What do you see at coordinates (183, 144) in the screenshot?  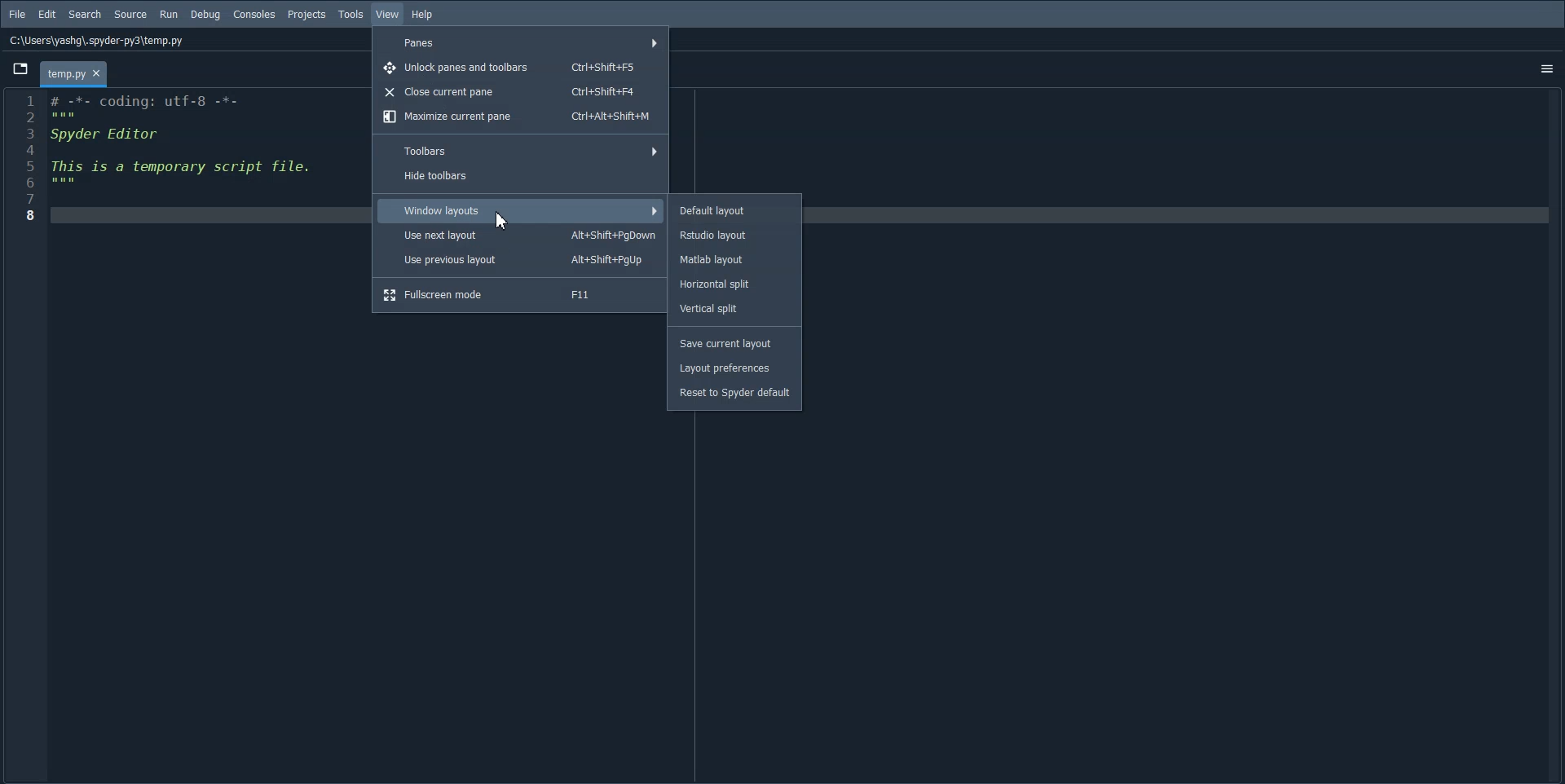 I see `Initial code block` at bounding box center [183, 144].